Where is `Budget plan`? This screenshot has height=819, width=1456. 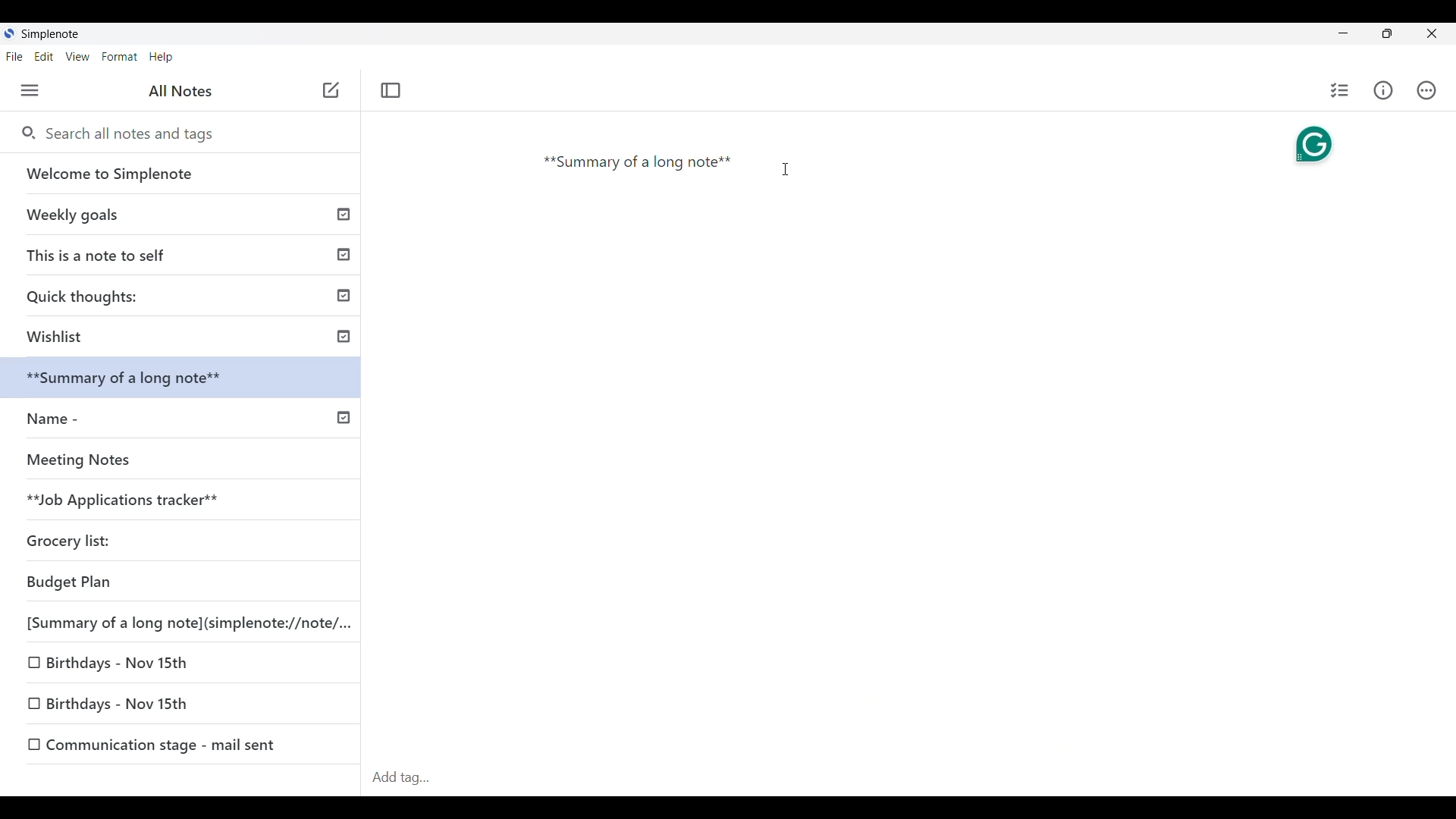
Budget plan is located at coordinates (127, 581).